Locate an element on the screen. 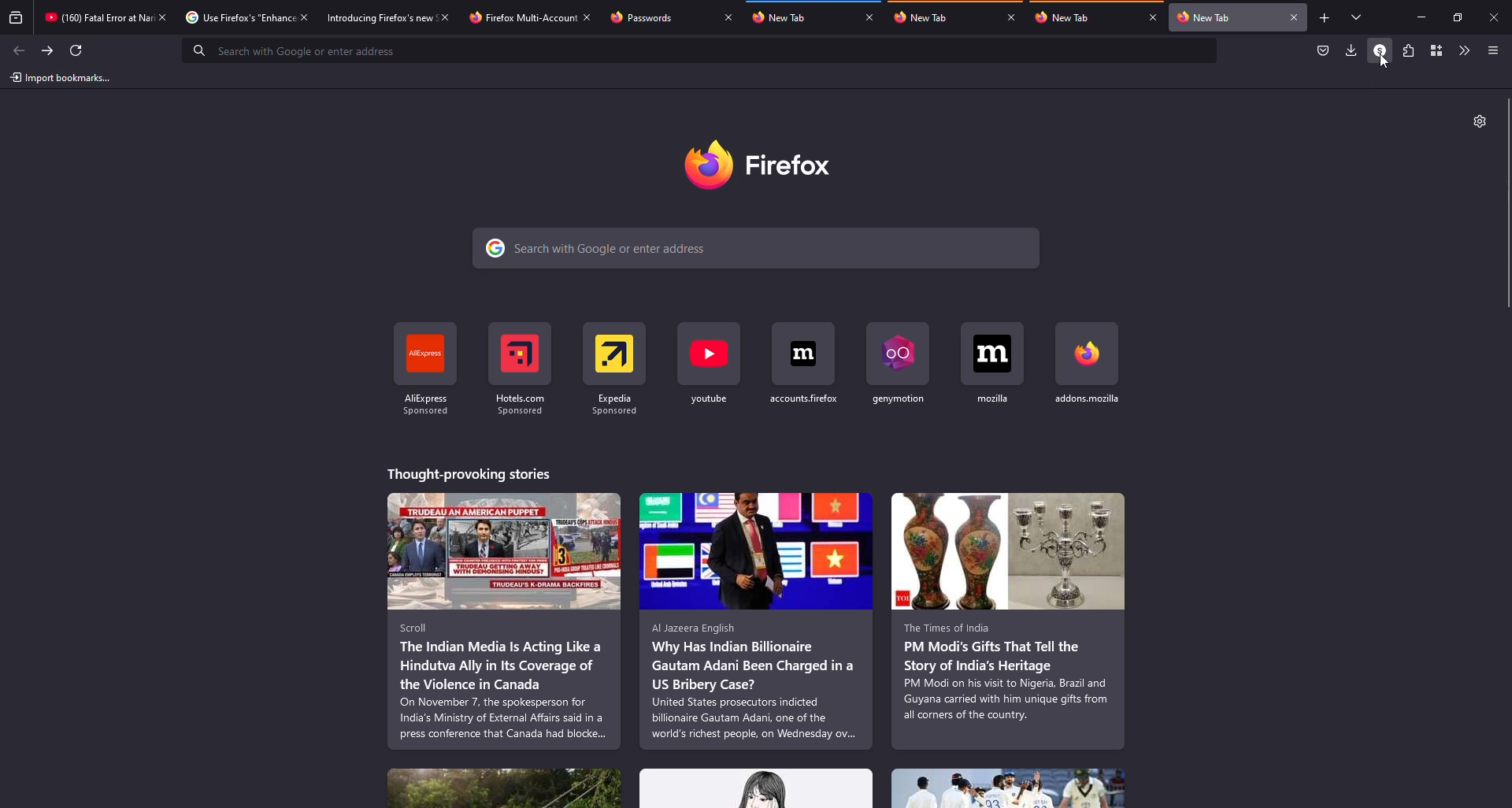 This screenshot has height=808, width=1512. refresh is located at coordinates (78, 50).